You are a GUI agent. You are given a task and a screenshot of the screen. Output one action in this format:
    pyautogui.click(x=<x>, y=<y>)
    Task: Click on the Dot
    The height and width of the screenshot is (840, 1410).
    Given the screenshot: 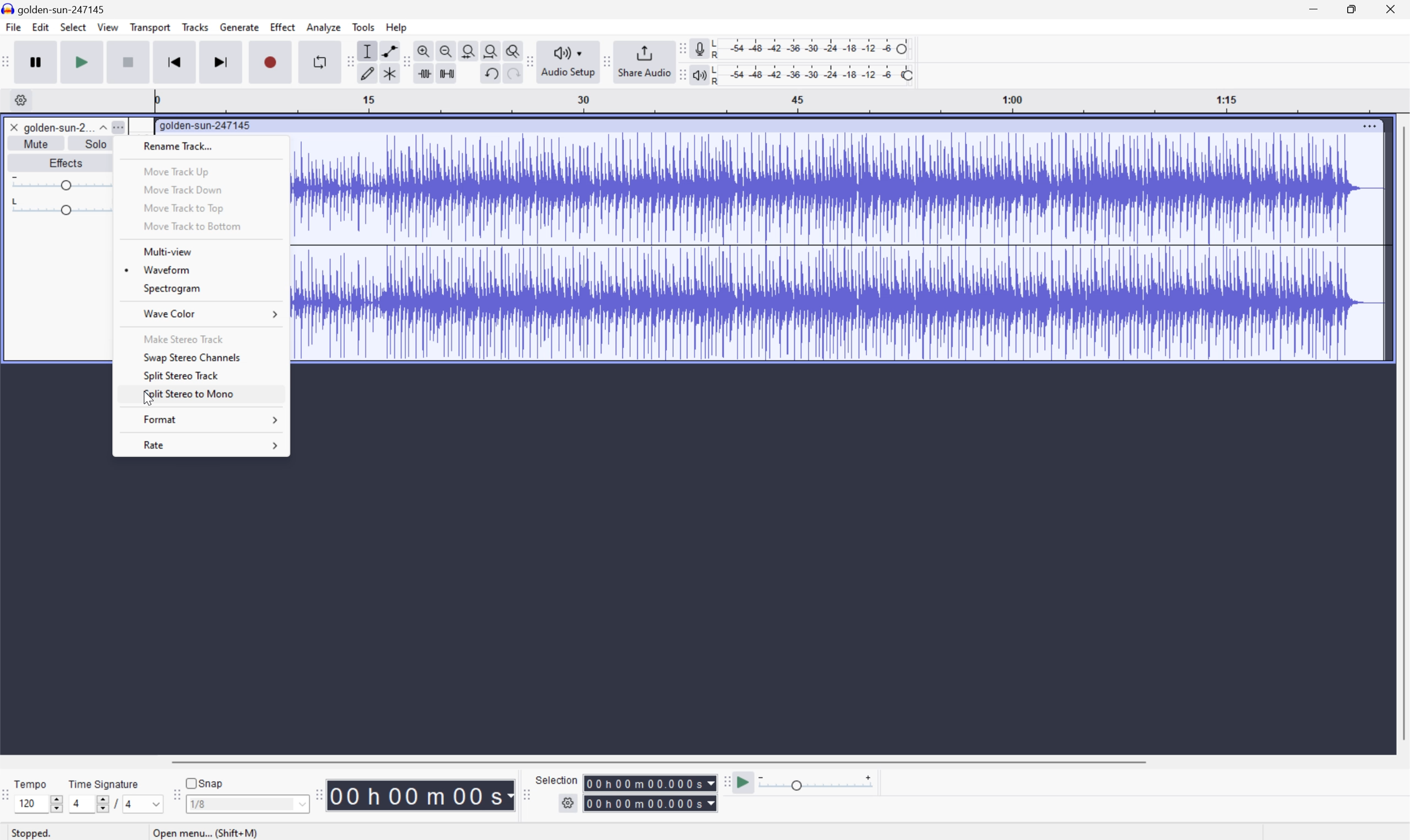 What is the action you would take?
    pyautogui.click(x=126, y=271)
    